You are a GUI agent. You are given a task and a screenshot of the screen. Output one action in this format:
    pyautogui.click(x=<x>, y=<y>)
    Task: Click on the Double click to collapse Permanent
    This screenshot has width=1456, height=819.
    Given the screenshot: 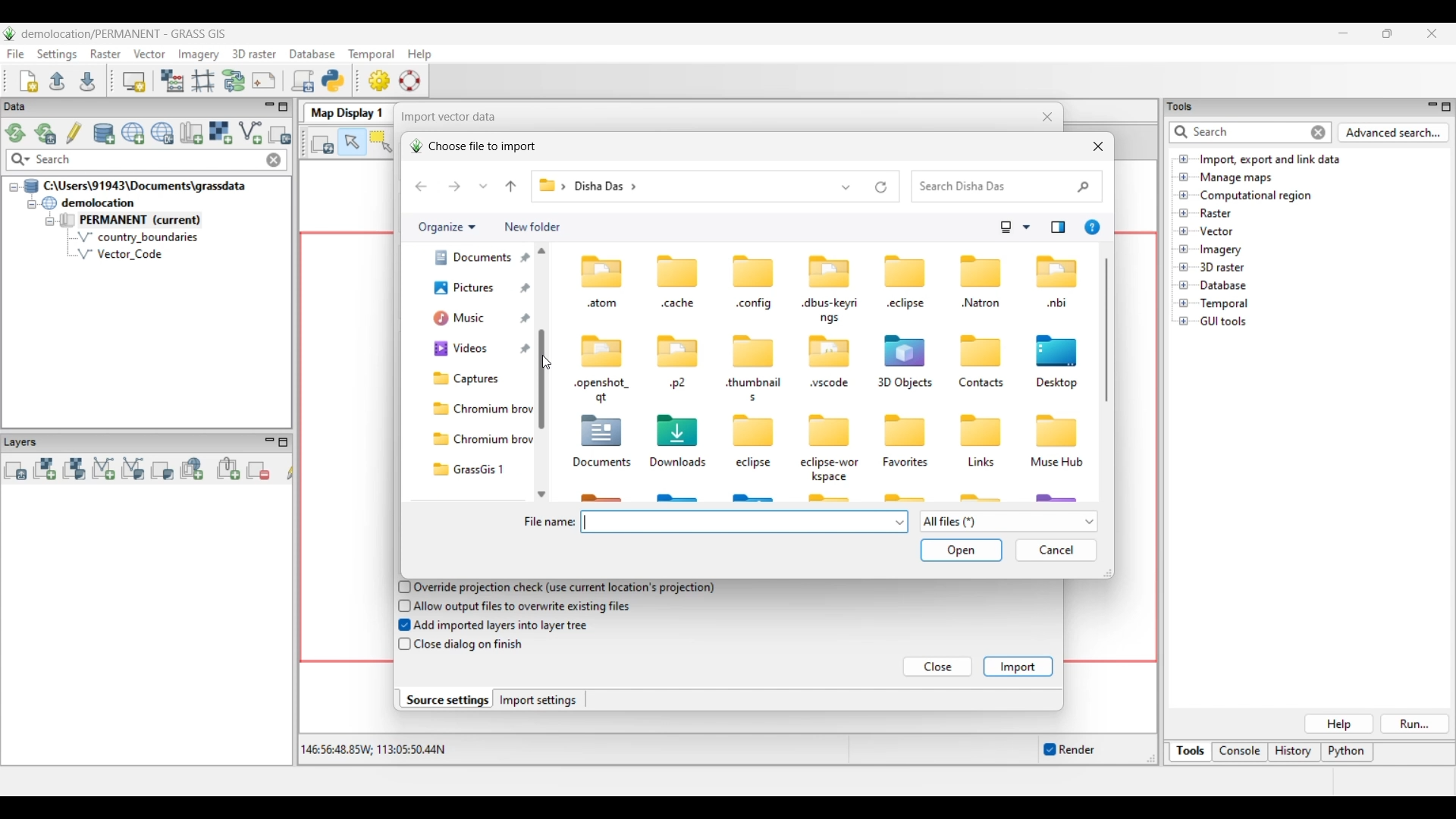 What is the action you would take?
    pyautogui.click(x=151, y=221)
    